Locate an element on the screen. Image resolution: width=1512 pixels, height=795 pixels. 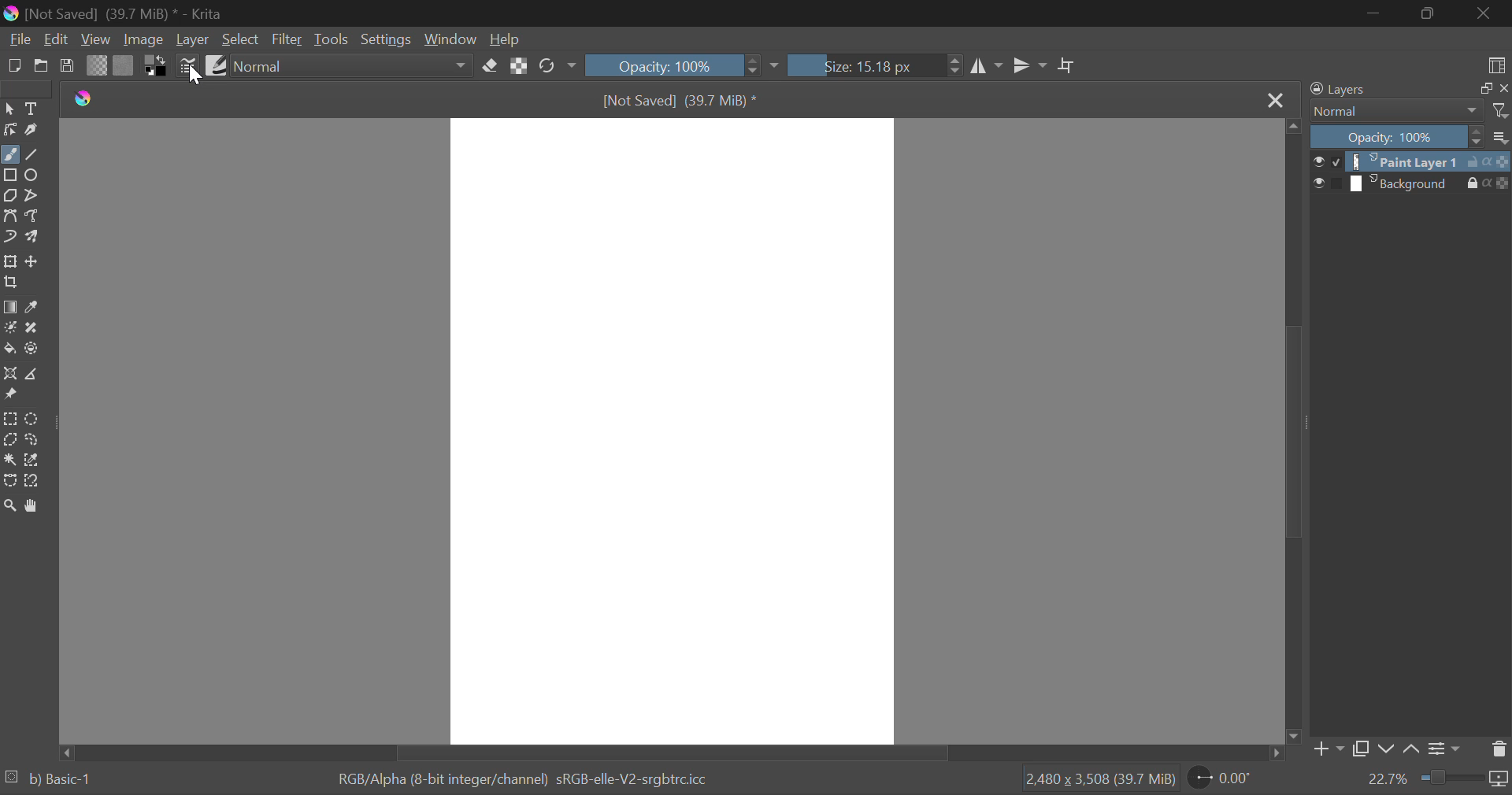
Colorize Mask Tool is located at coordinates (9, 327).